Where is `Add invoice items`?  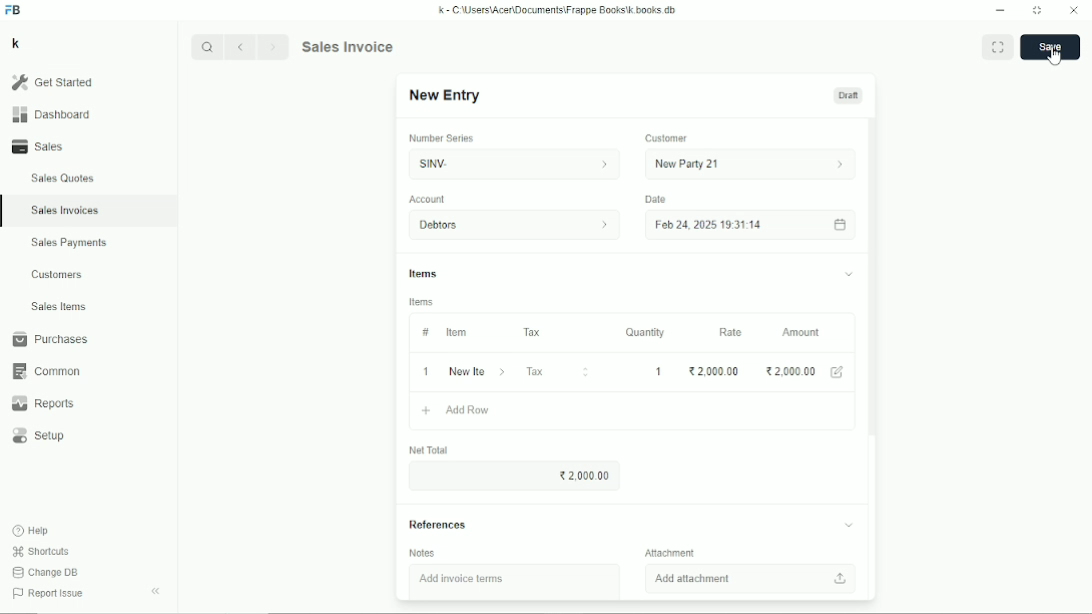 Add invoice items is located at coordinates (459, 578).